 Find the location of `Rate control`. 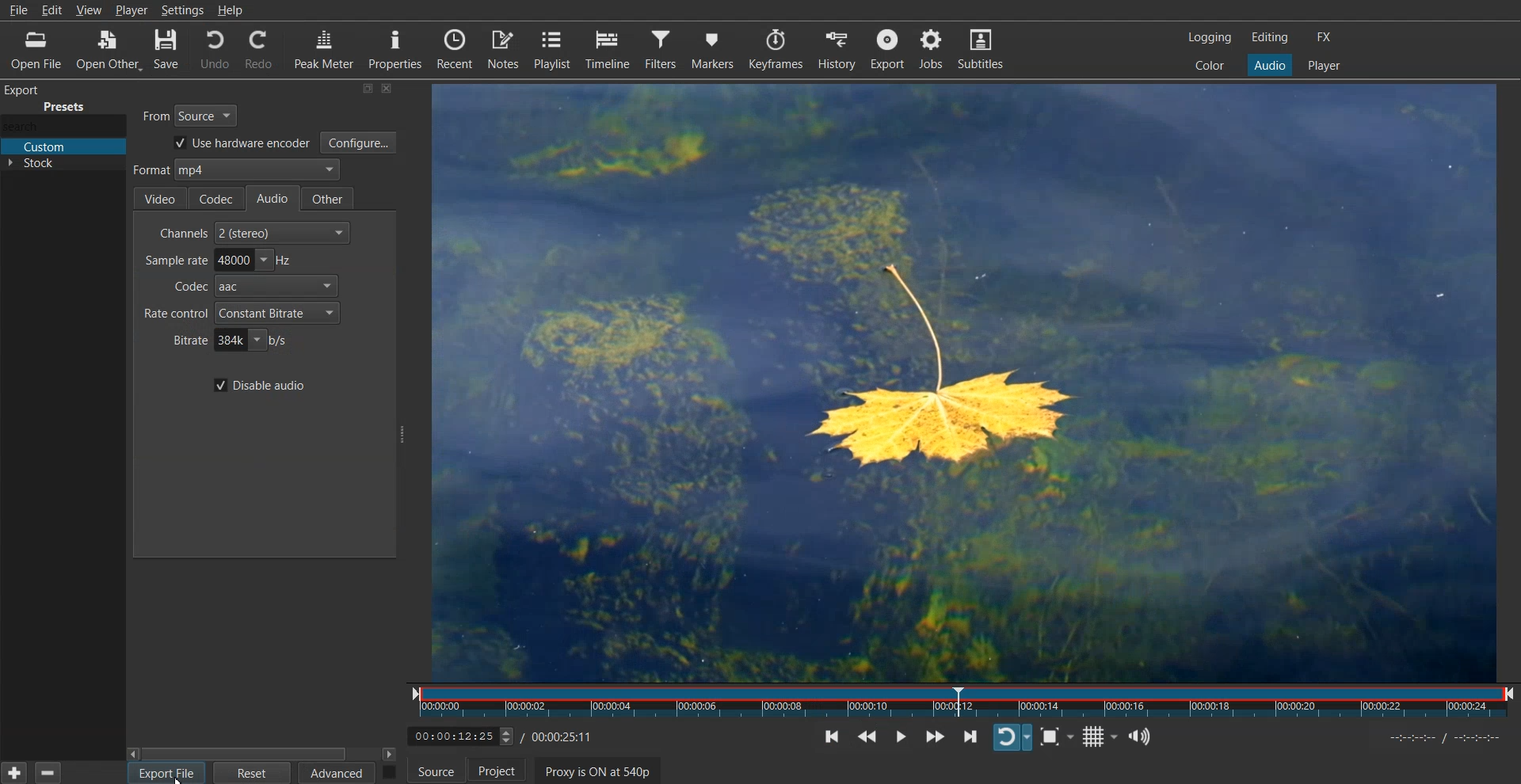

Rate control is located at coordinates (240, 313).